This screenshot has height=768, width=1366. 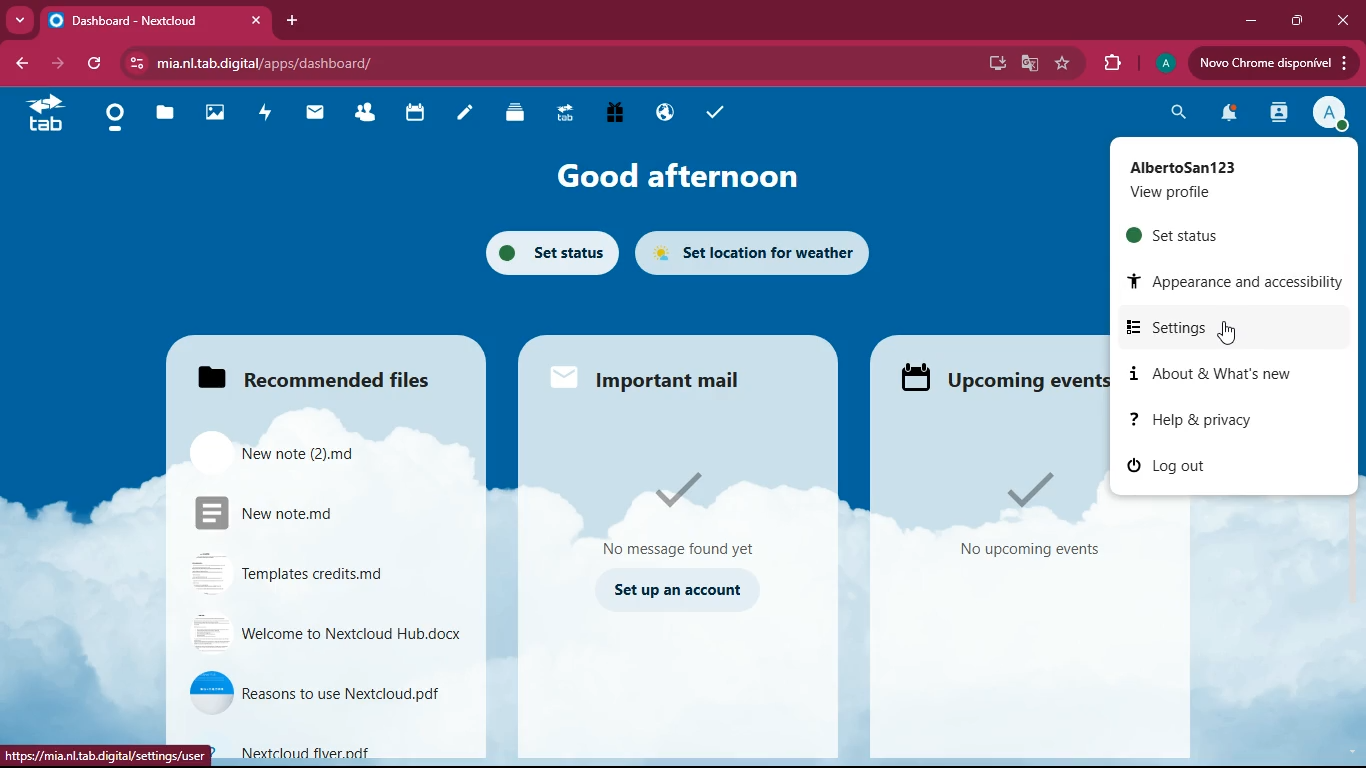 What do you see at coordinates (659, 377) in the screenshot?
I see `important mail` at bounding box center [659, 377].